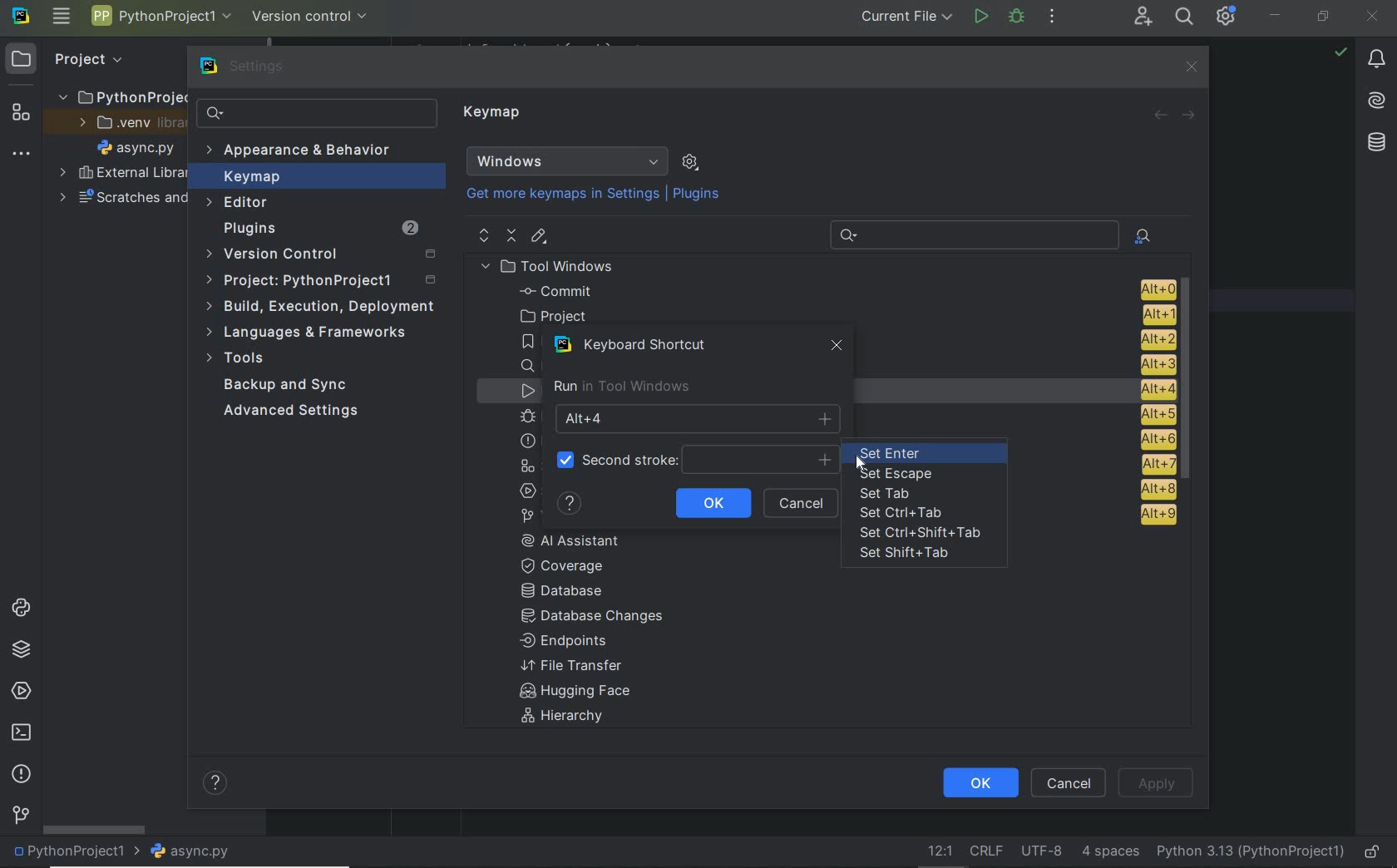  I want to click on python packages, so click(20, 650).